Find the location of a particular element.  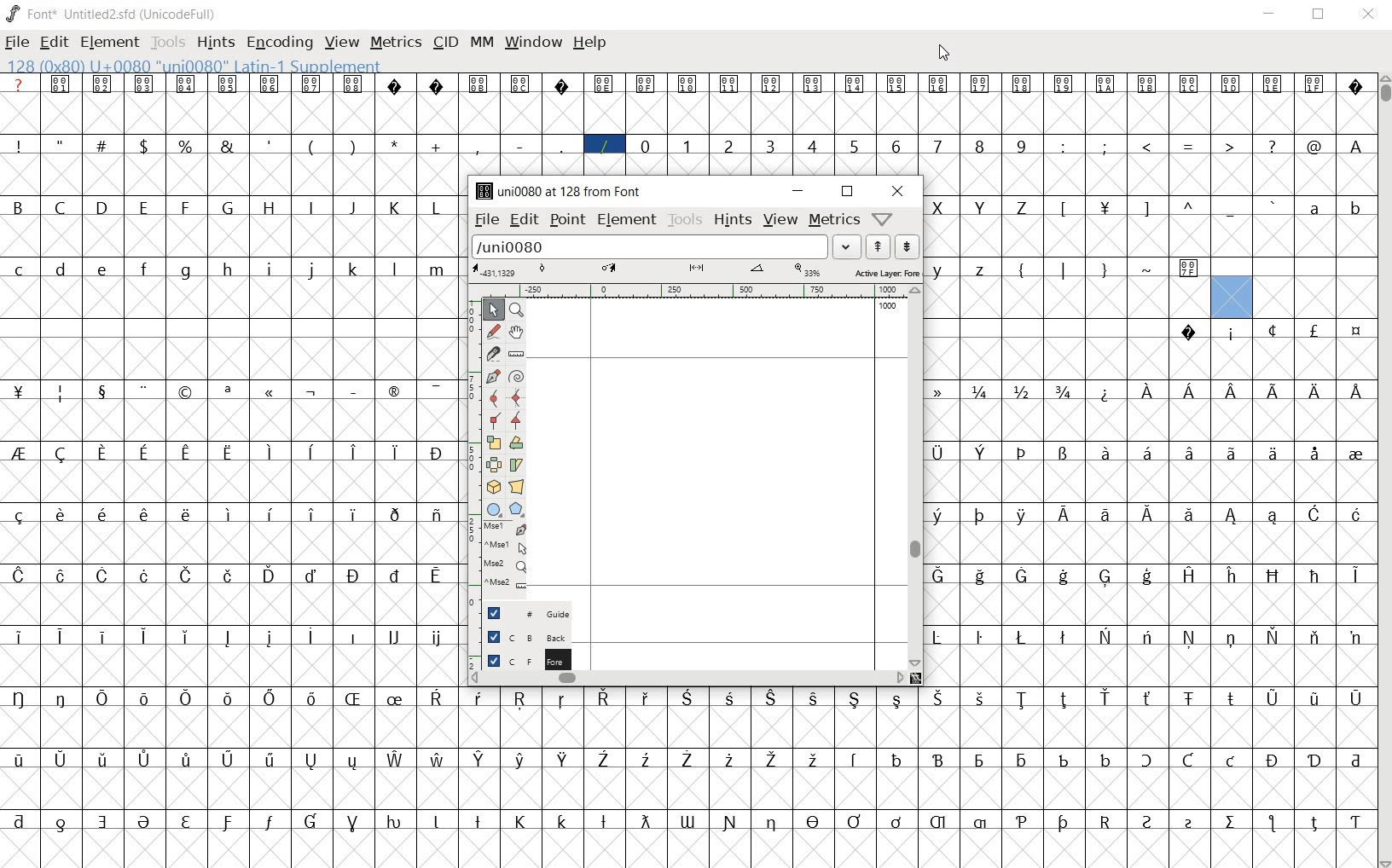

glyph is located at coordinates (1314, 576).